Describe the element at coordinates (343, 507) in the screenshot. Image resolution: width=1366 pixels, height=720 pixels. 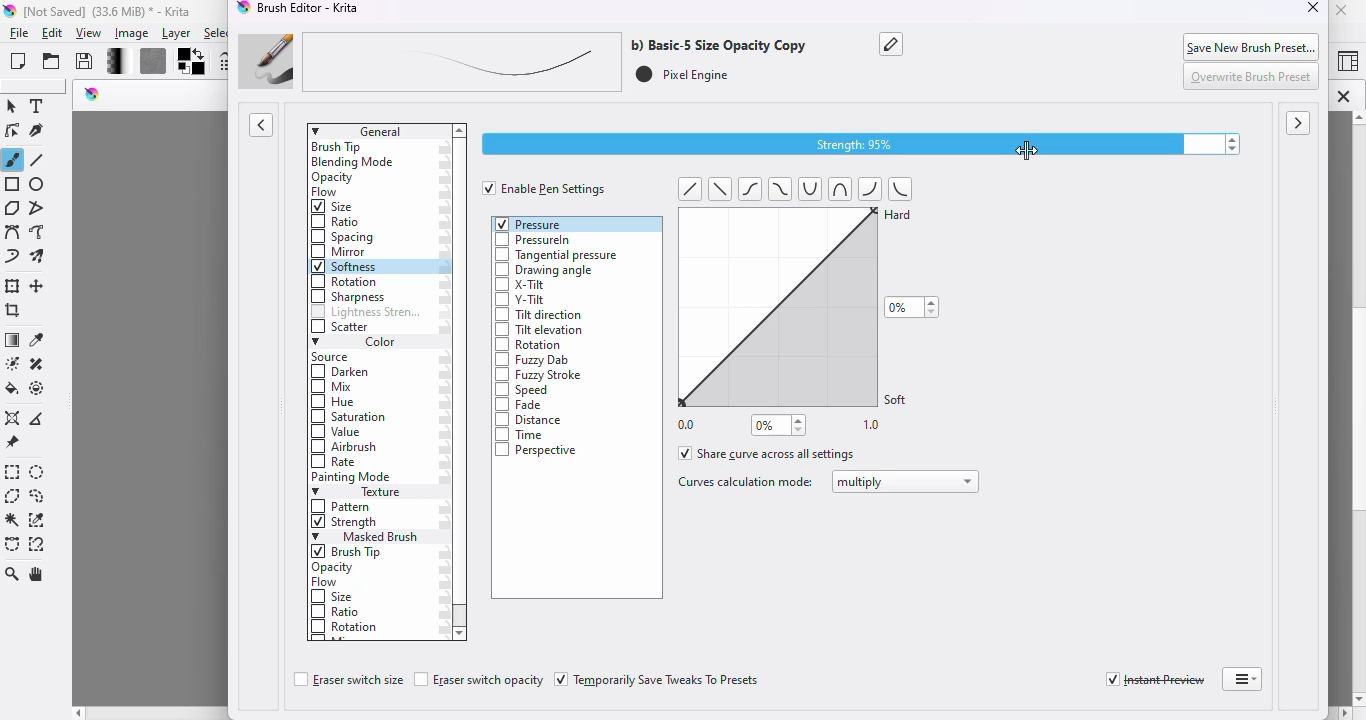
I see `pattern` at that location.